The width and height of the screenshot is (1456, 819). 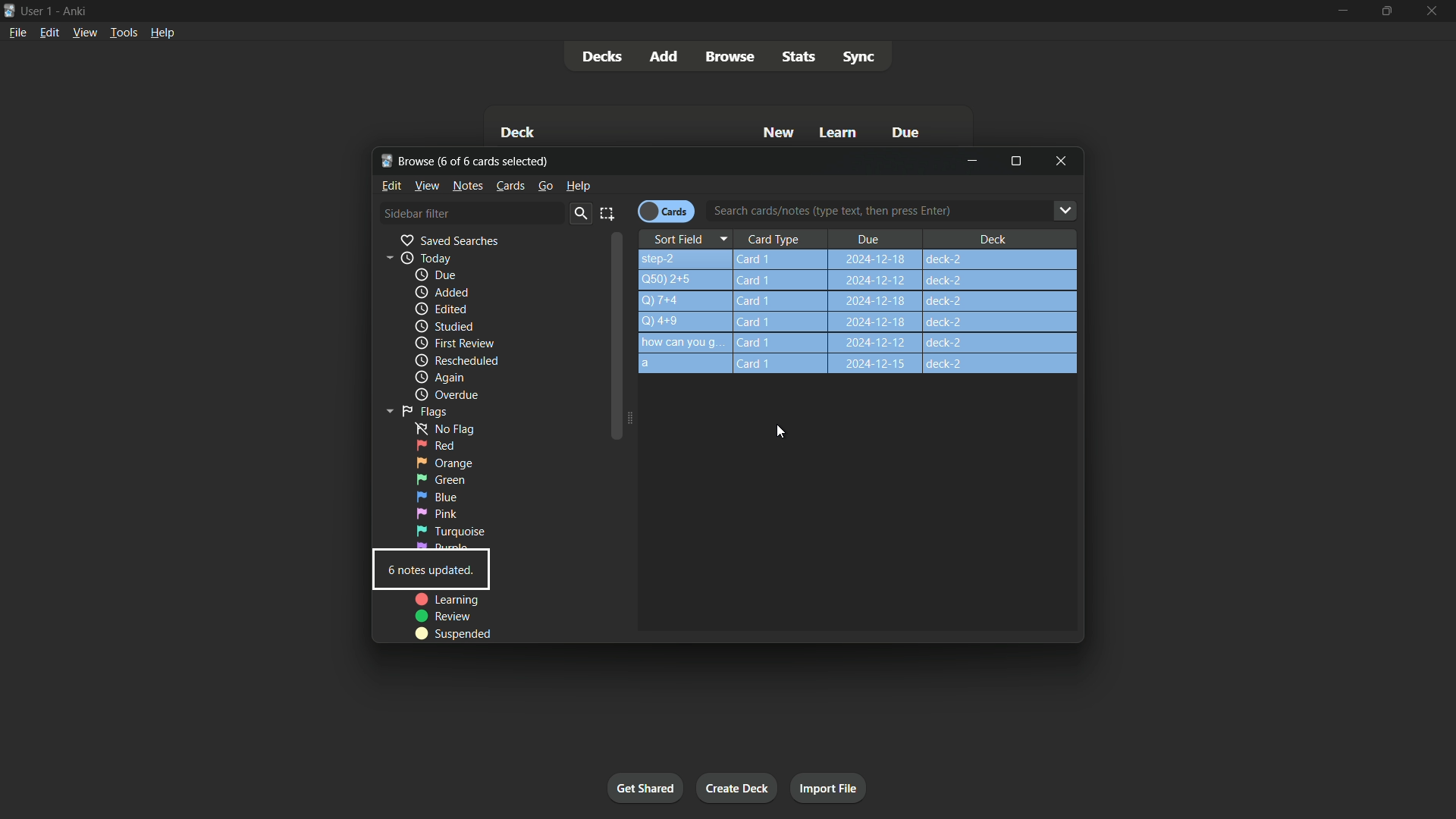 What do you see at coordinates (440, 428) in the screenshot?
I see `no flag` at bounding box center [440, 428].